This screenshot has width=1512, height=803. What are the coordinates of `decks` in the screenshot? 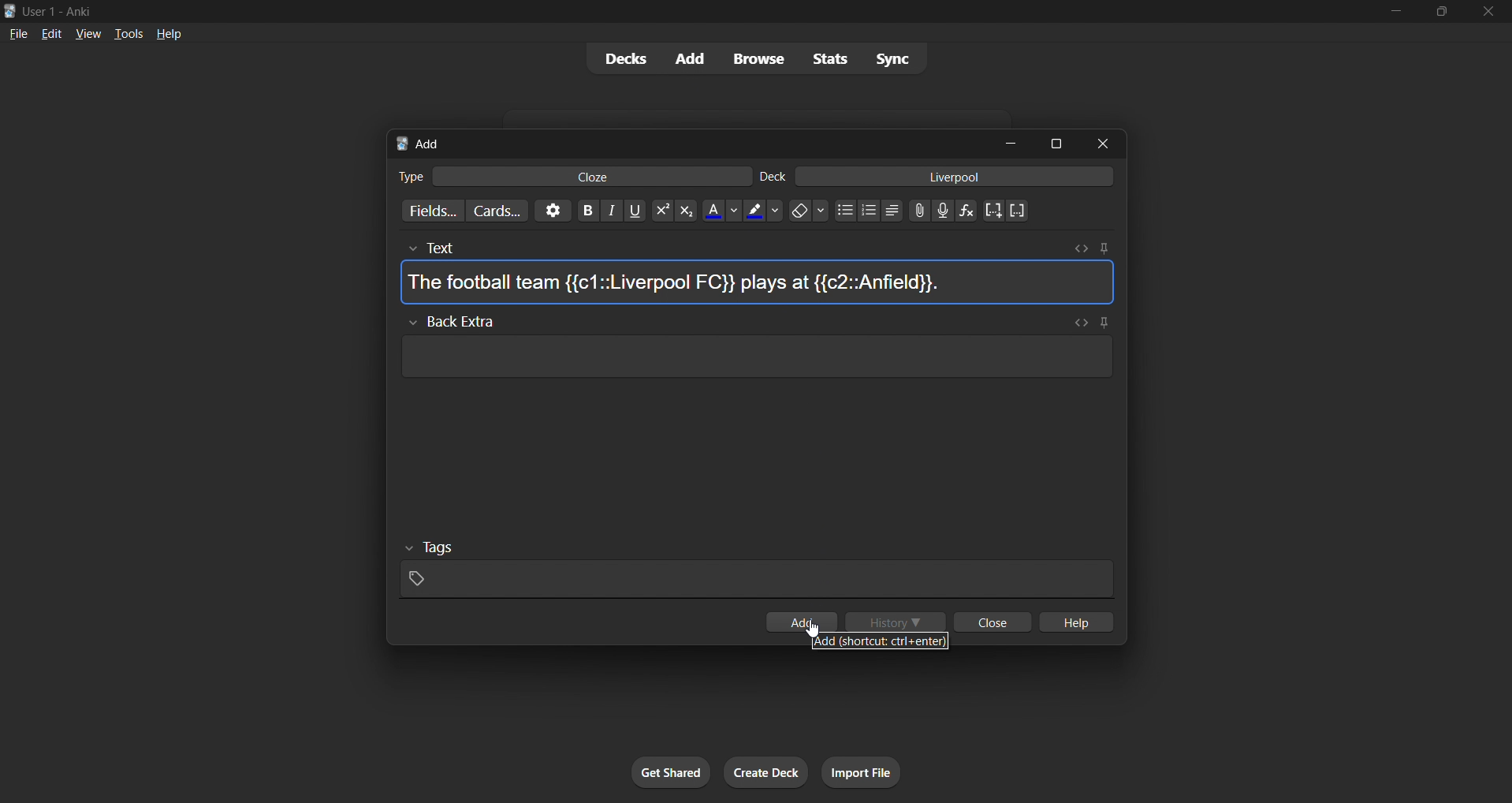 It's located at (623, 58).